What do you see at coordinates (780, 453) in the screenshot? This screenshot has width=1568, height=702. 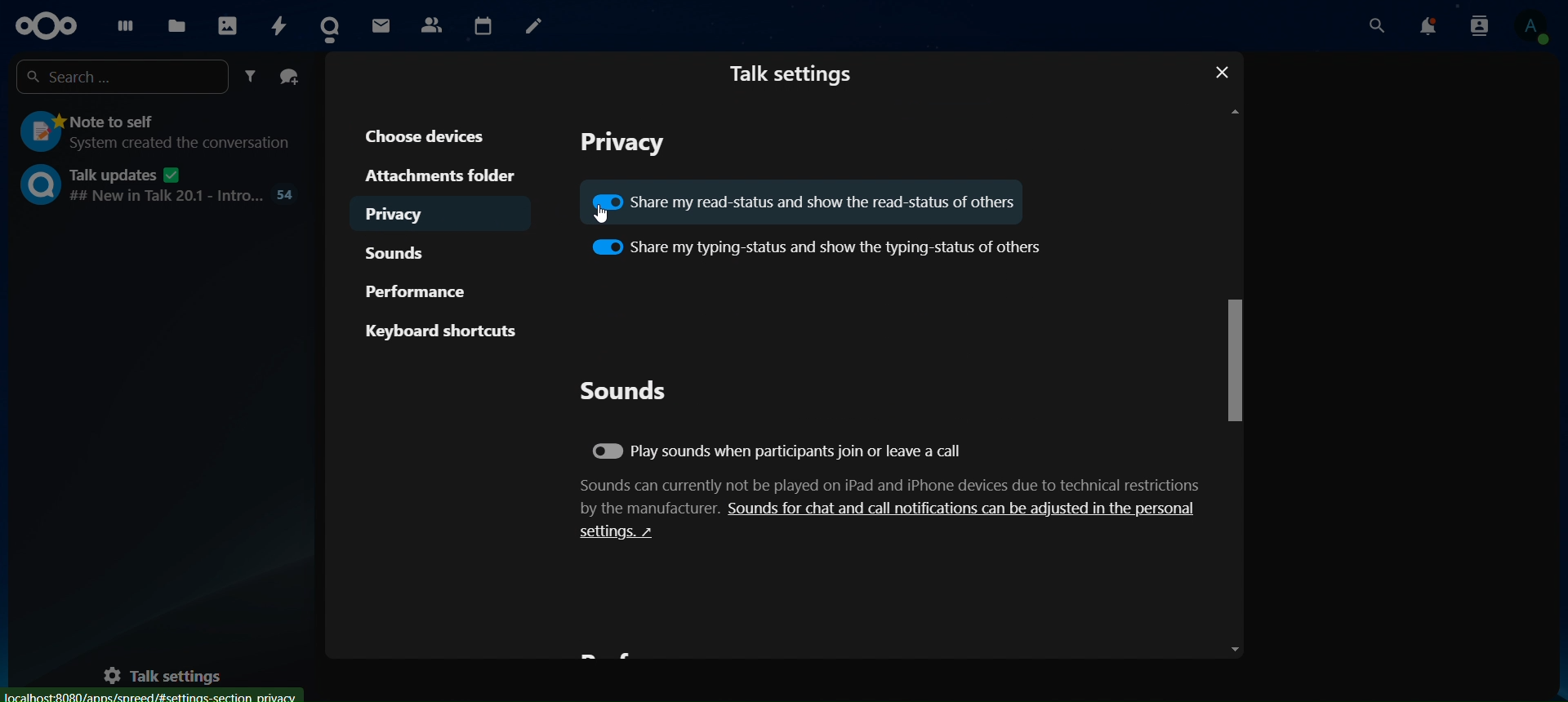 I see `play sounds when participants in or leave a call` at bounding box center [780, 453].